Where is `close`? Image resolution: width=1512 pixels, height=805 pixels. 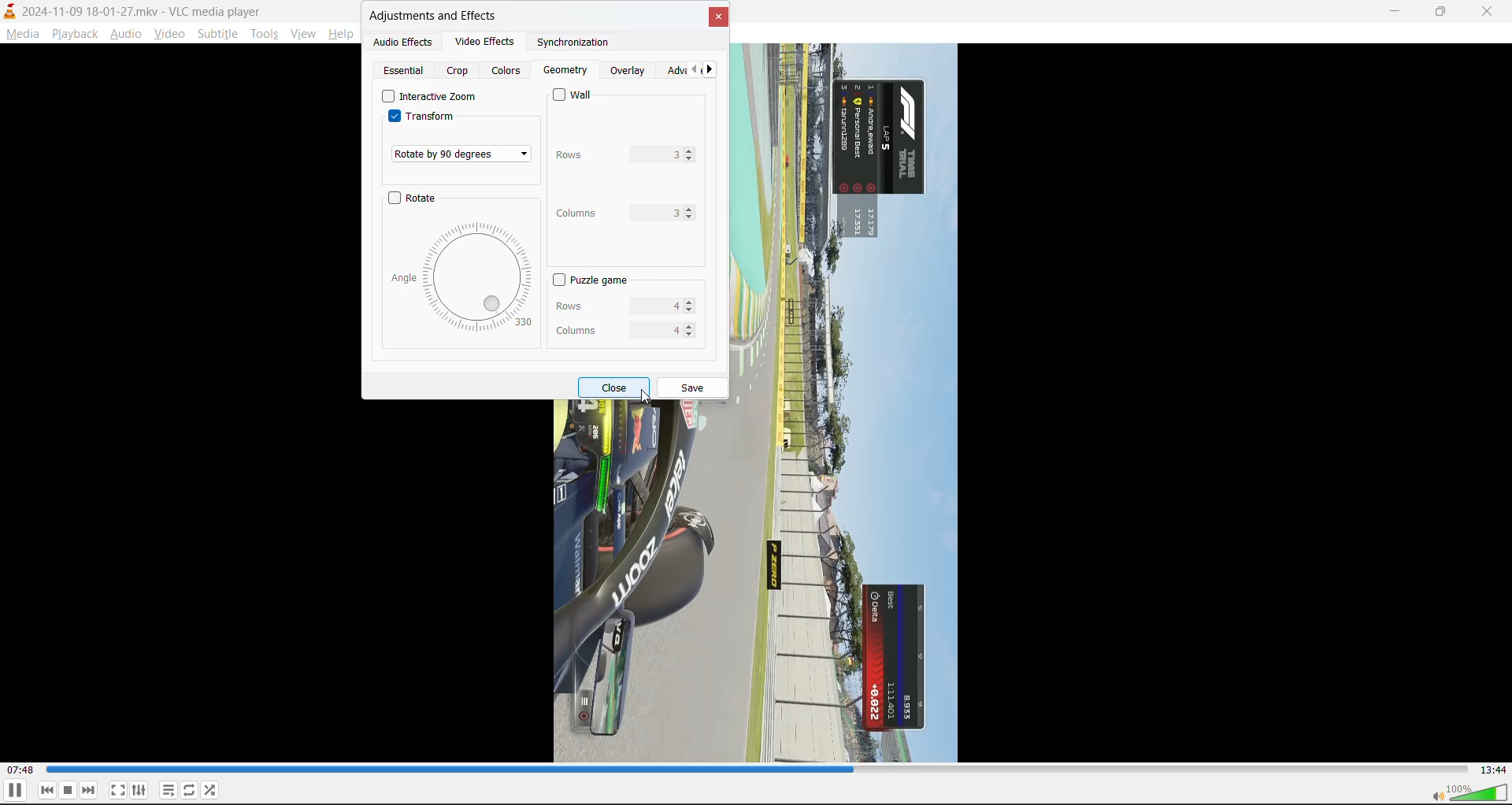 close is located at coordinates (617, 388).